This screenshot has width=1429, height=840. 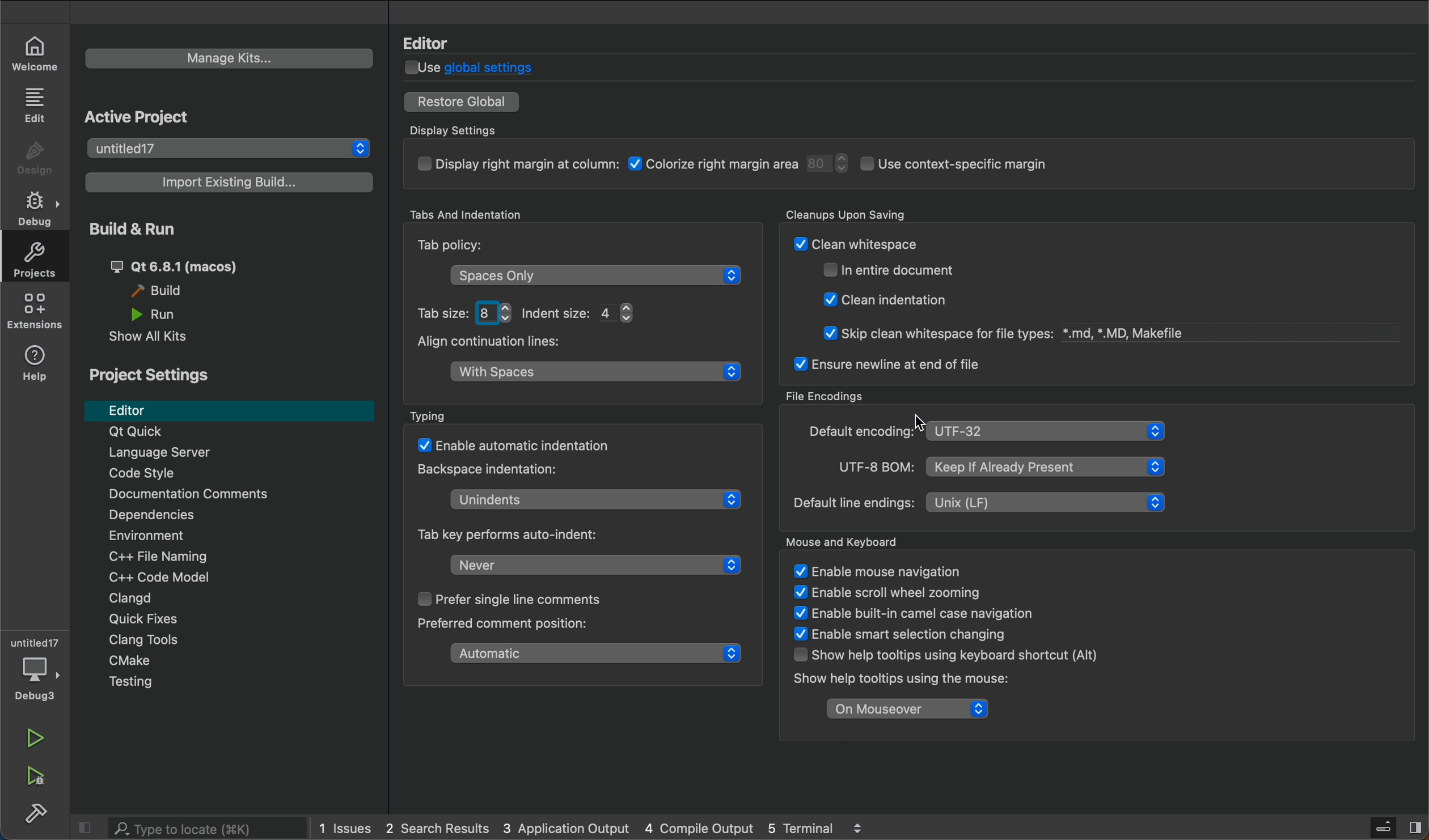 I want to click on , so click(x=166, y=316).